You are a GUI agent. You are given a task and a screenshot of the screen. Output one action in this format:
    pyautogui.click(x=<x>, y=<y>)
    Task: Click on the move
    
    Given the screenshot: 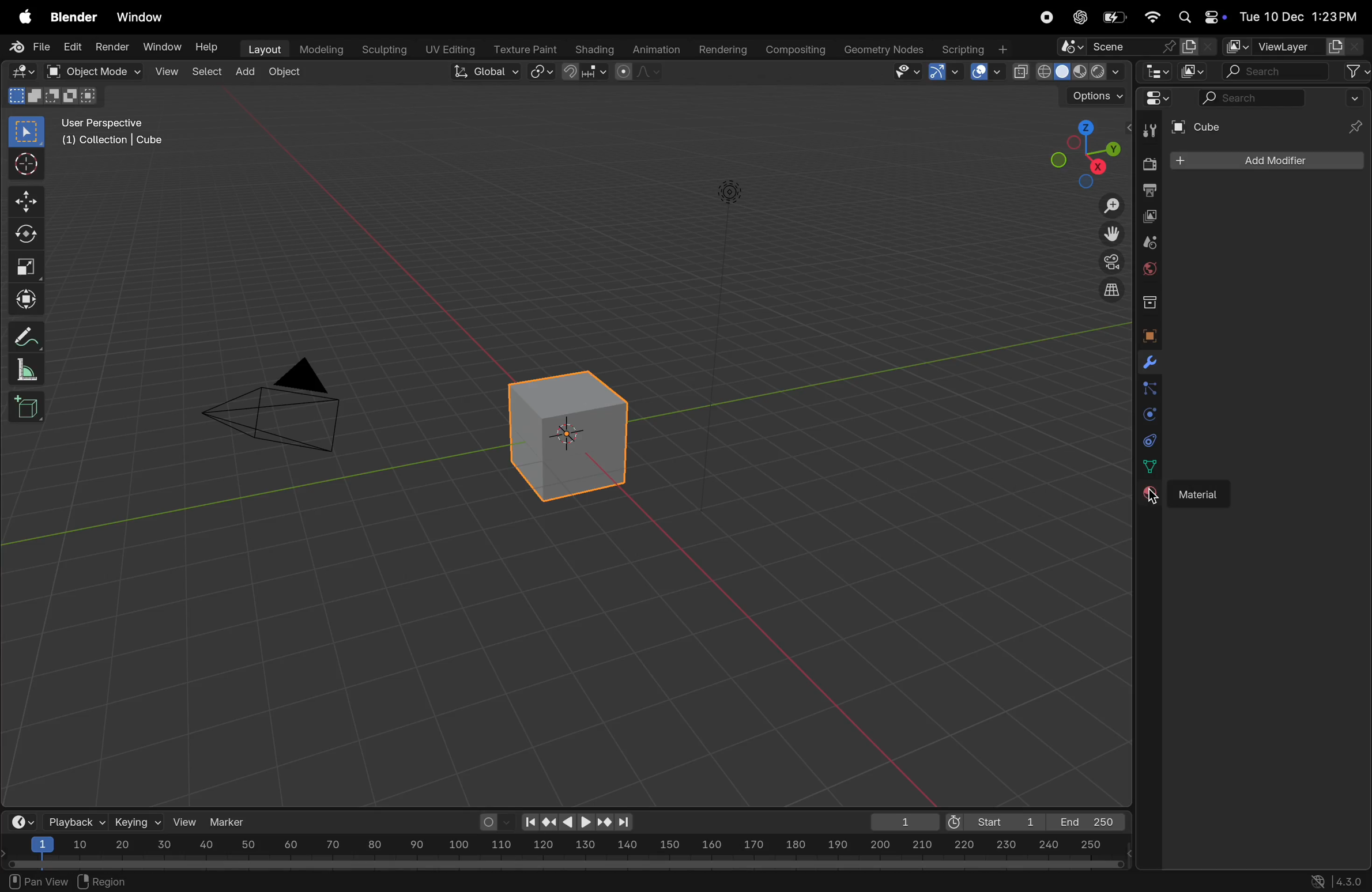 What is the action you would take?
    pyautogui.click(x=25, y=202)
    